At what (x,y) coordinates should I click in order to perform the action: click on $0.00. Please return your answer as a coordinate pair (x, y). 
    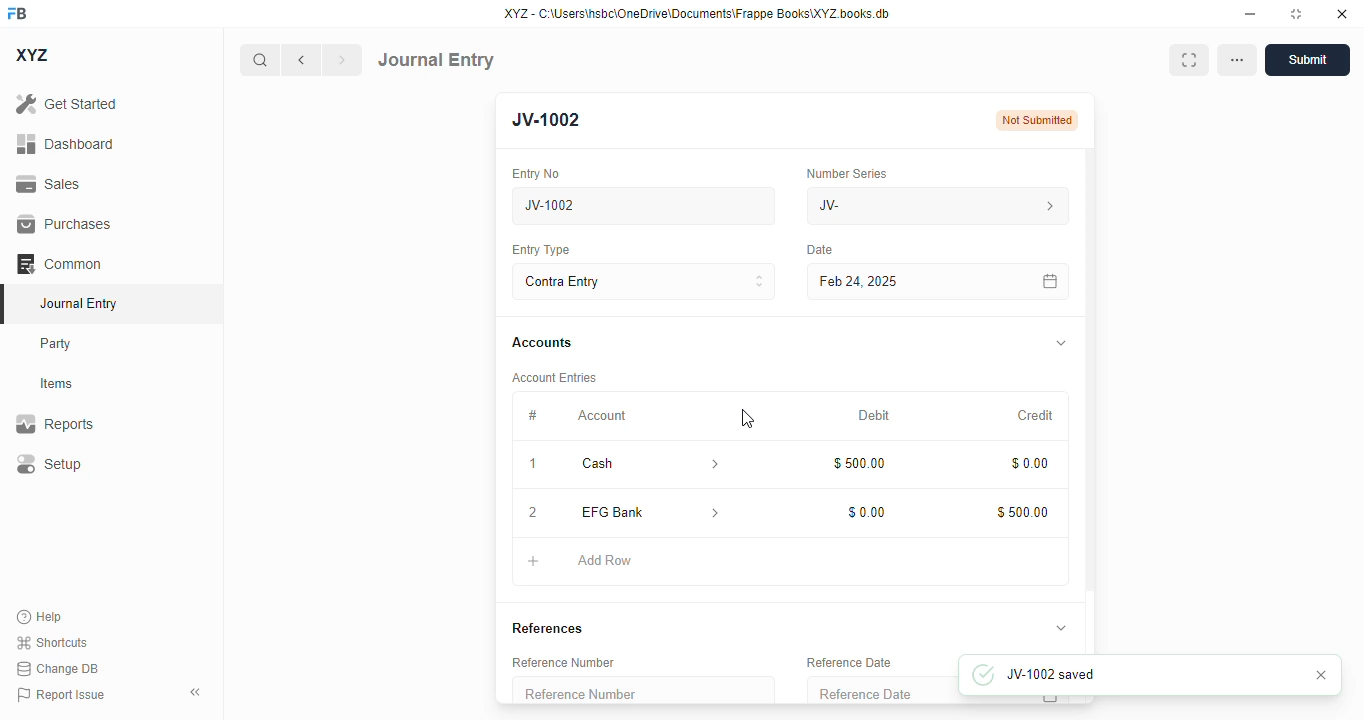
    Looking at the image, I should click on (1032, 464).